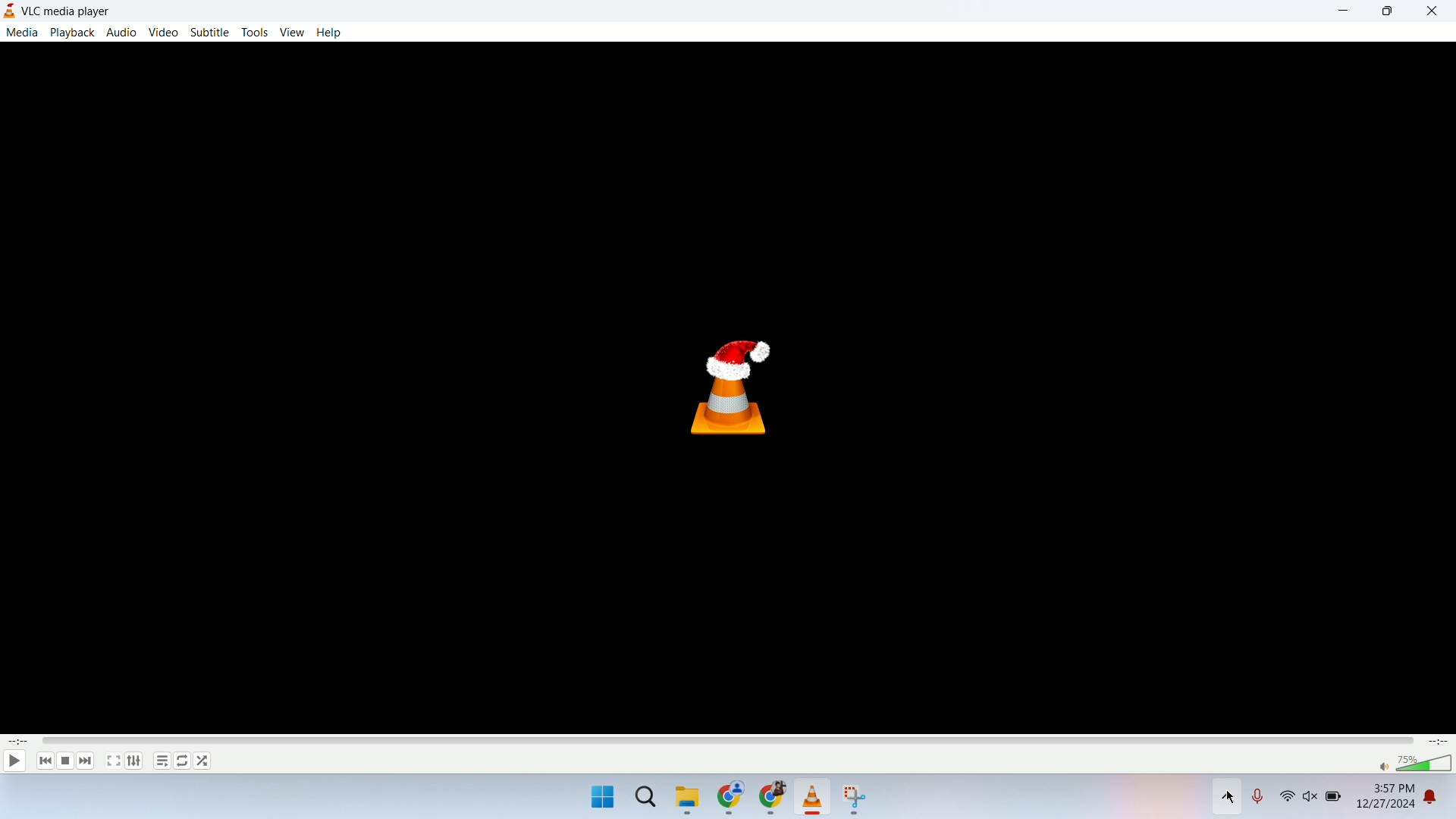 This screenshot has width=1456, height=819. I want to click on progress bar, so click(729, 741).